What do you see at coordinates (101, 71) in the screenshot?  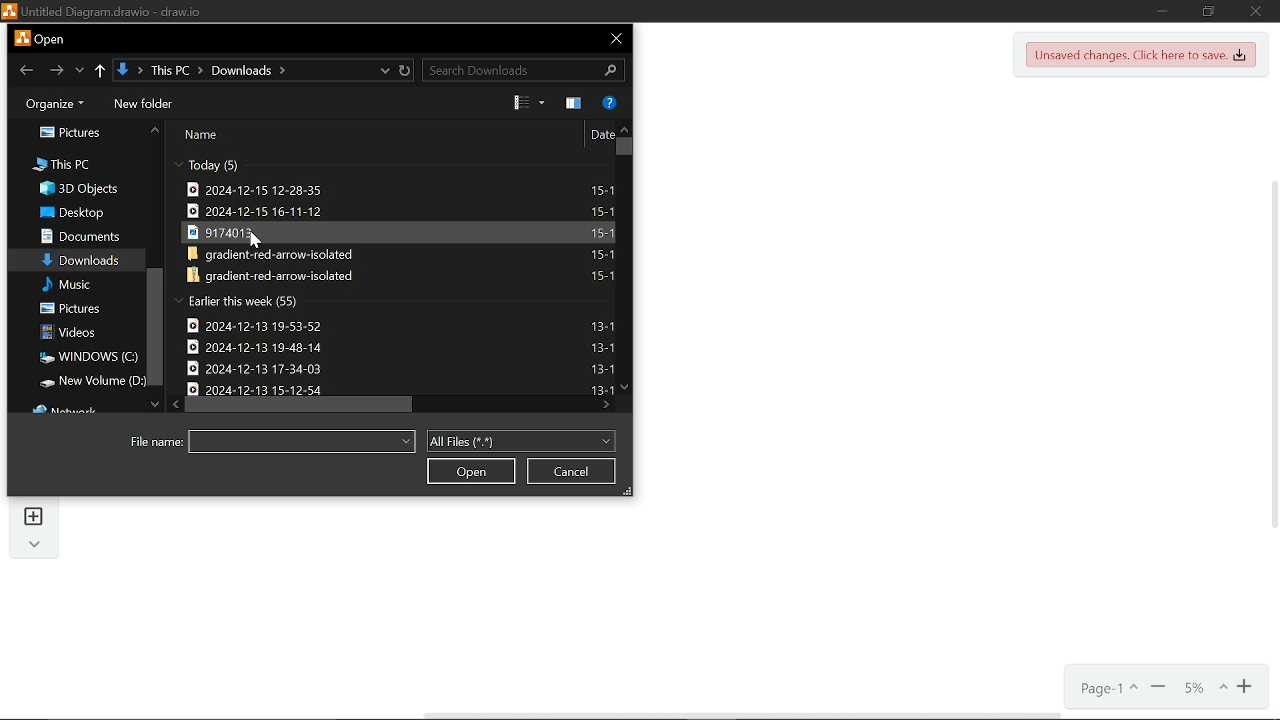 I see `Upto the previous location` at bounding box center [101, 71].